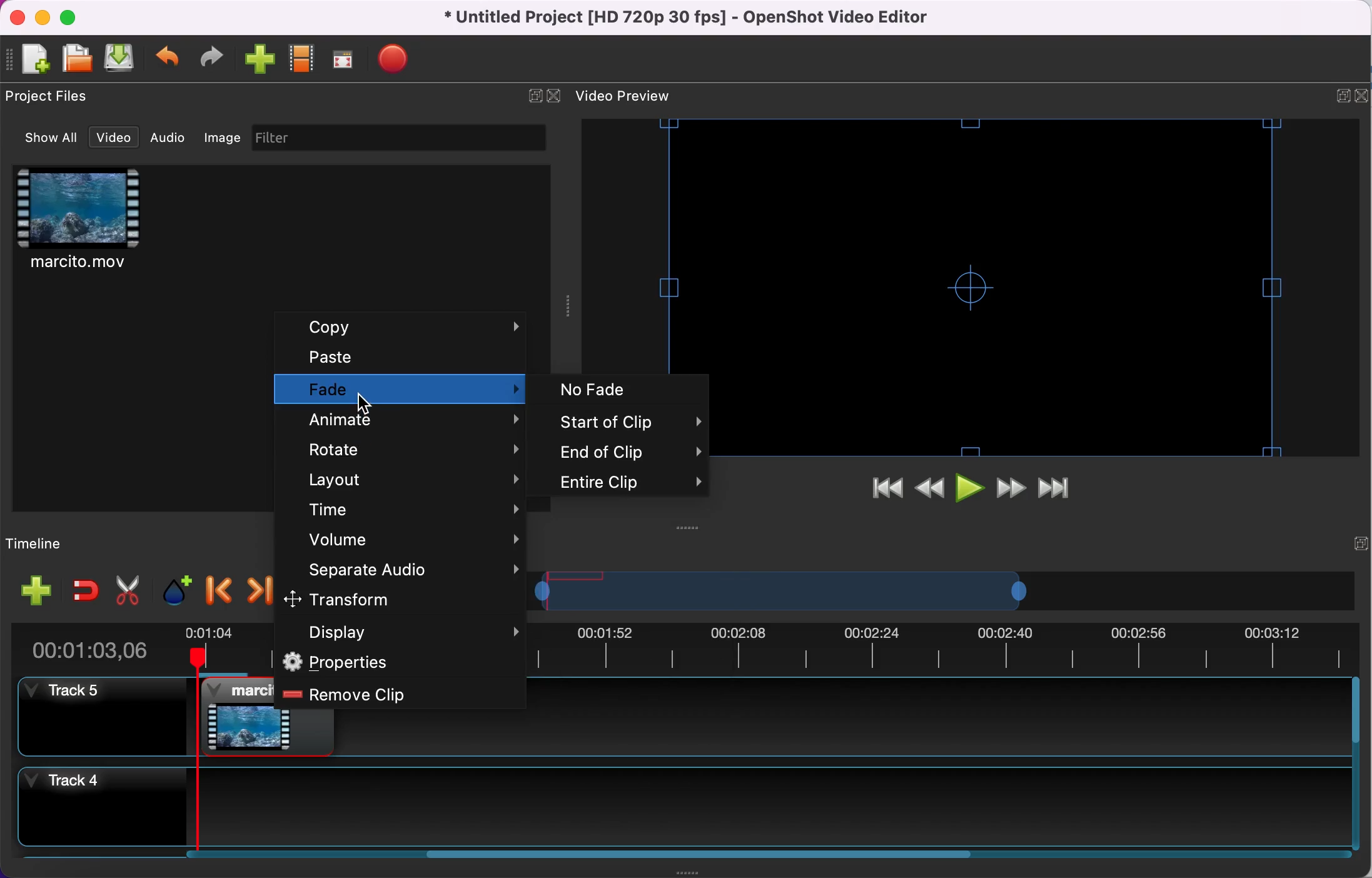 This screenshot has width=1372, height=878. What do you see at coordinates (971, 492) in the screenshot?
I see `play` at bounding box center [971, 492].